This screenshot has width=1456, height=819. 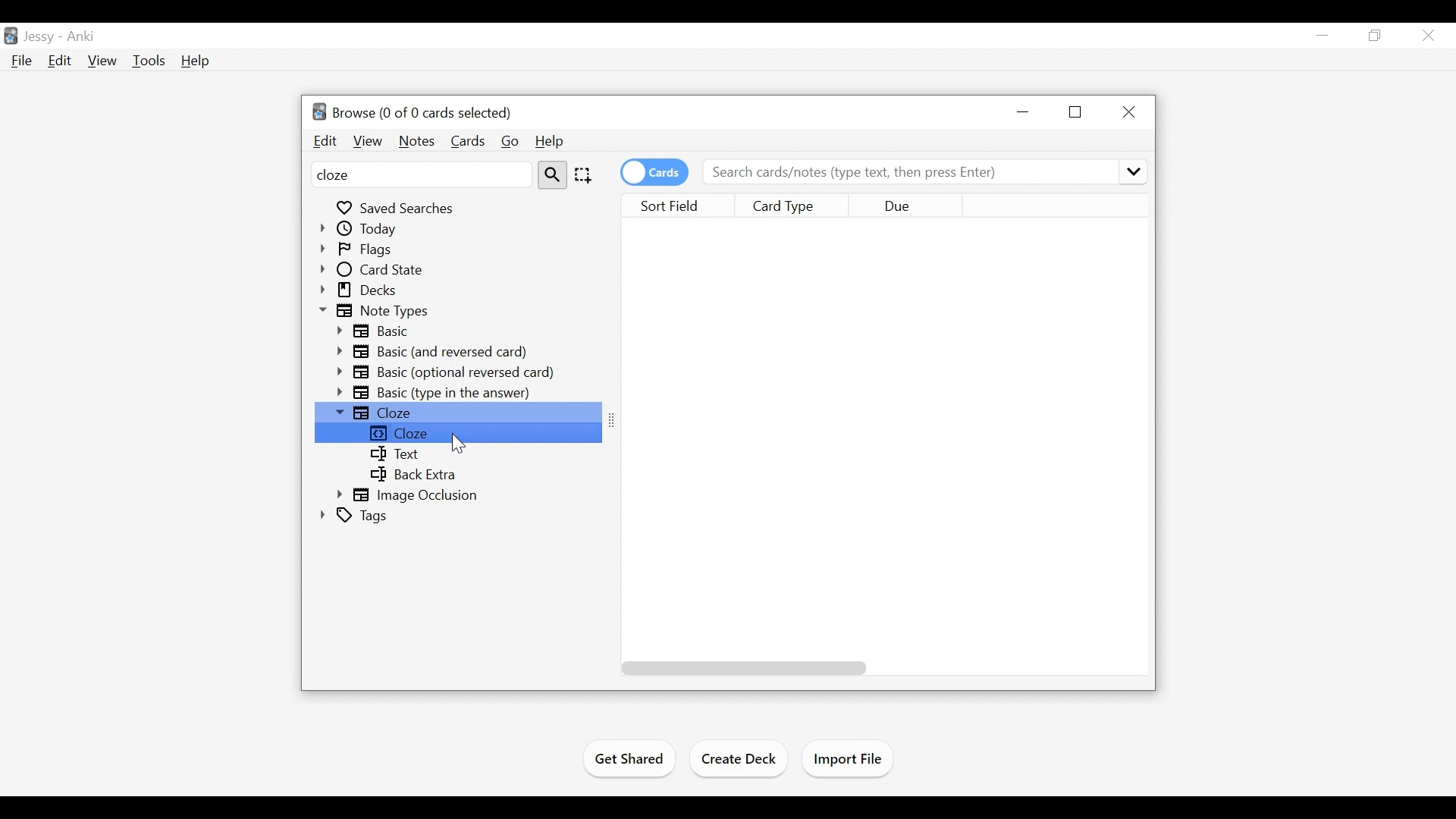 What do you see at coordinates (1025, 111) in the screenshot?
I see `minimize` at bounding box center [1025, 111].